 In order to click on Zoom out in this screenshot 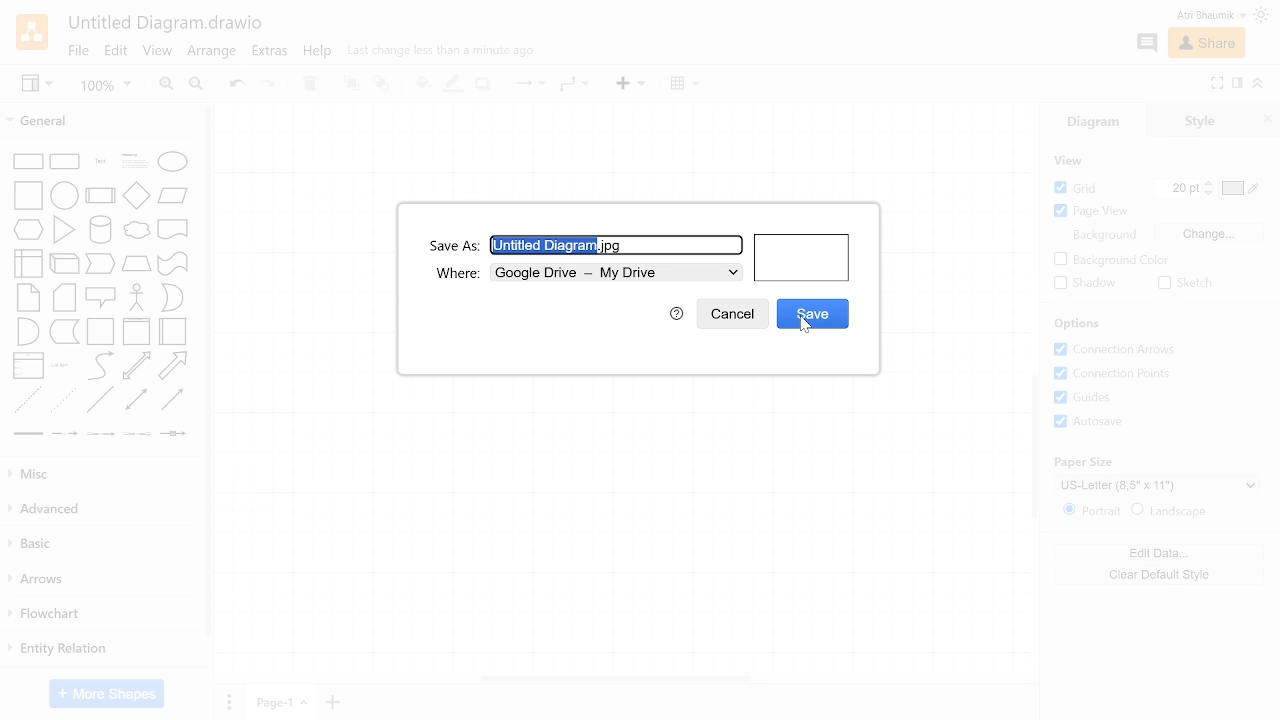, I will do `click(198, 85)`.